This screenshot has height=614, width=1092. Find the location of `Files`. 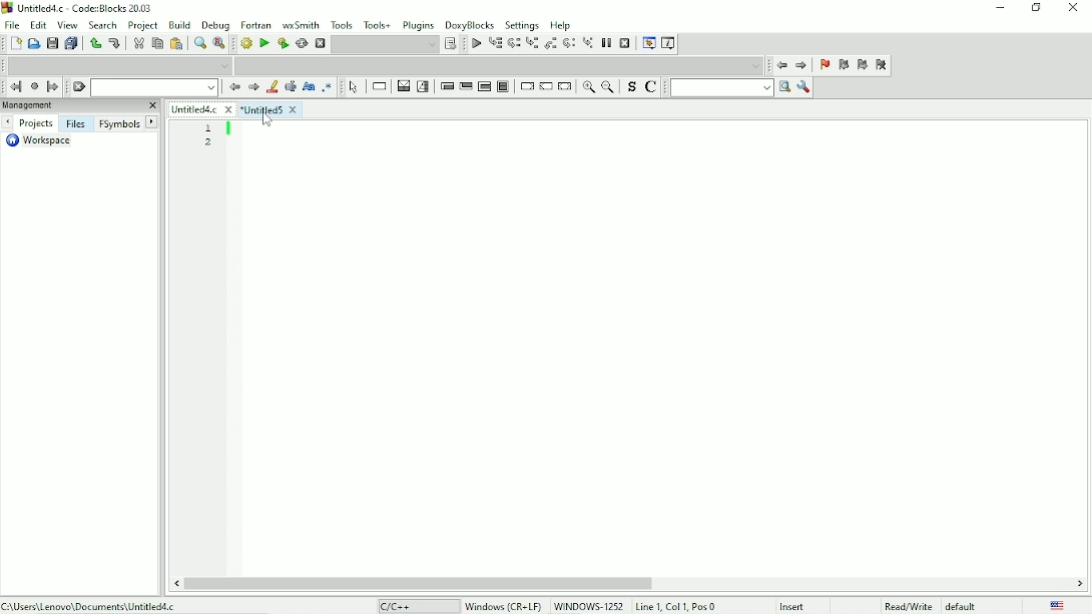

Files is located at coordinates (78, 124).